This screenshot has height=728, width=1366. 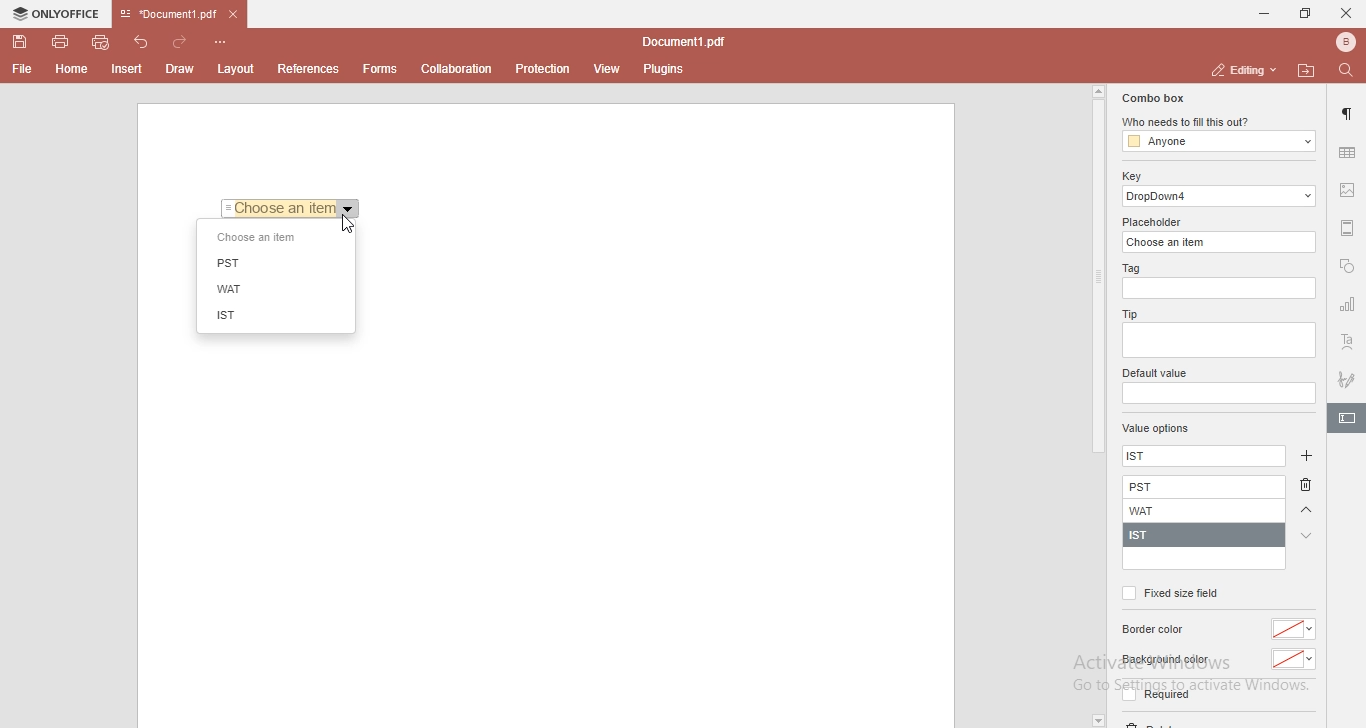 I want to click on tag, so click(x=1129, y=269).